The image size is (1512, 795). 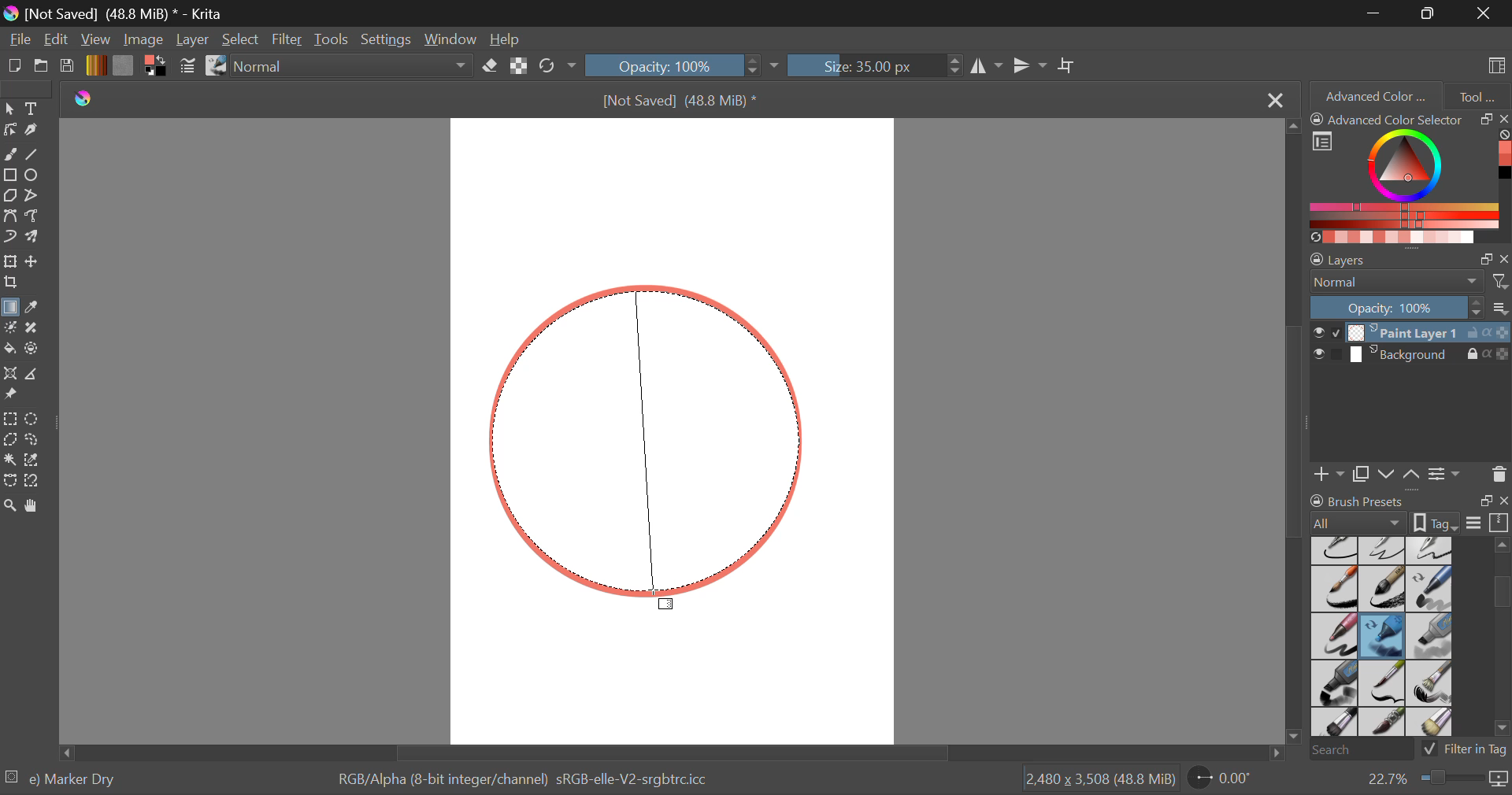 I want to click on Polyline Tool, so click(x=34, y=195).